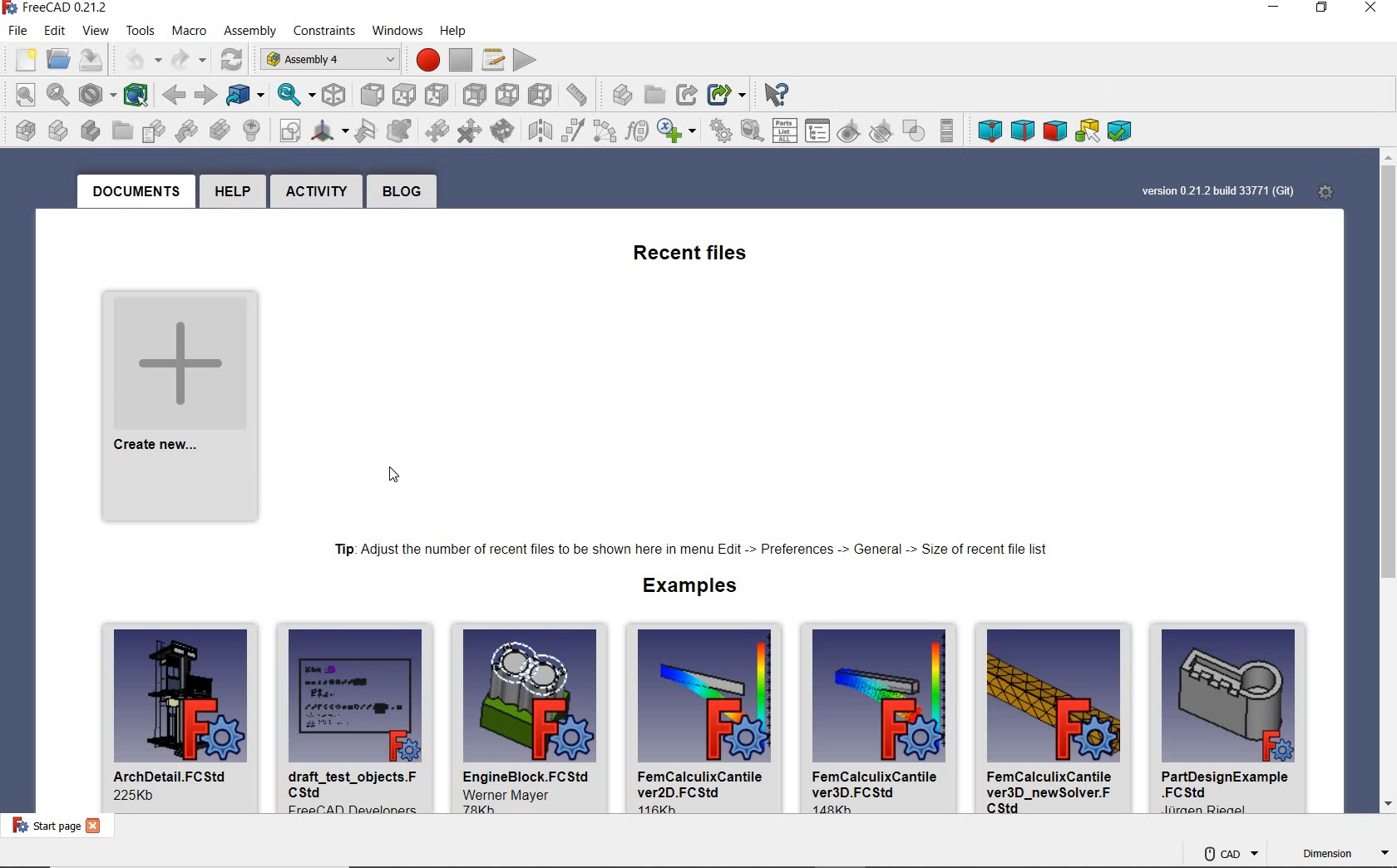 This screenshot has width=1397, height=868. Describe the element at coordinates (773, 95) in the screenshot. I see `WHAT'S THIS` at that location.